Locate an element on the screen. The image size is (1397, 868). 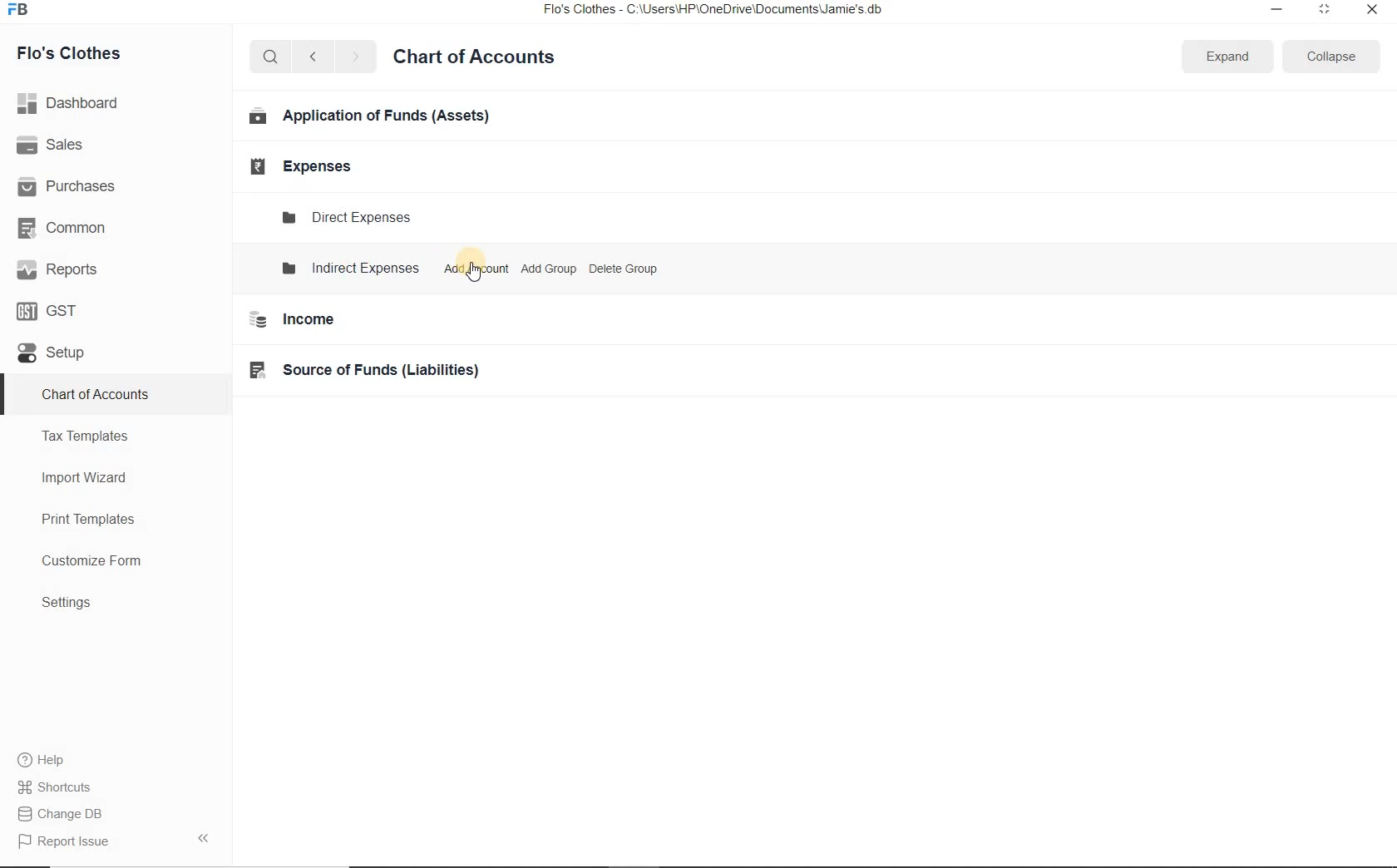
next is located at coordinates (355, 58).